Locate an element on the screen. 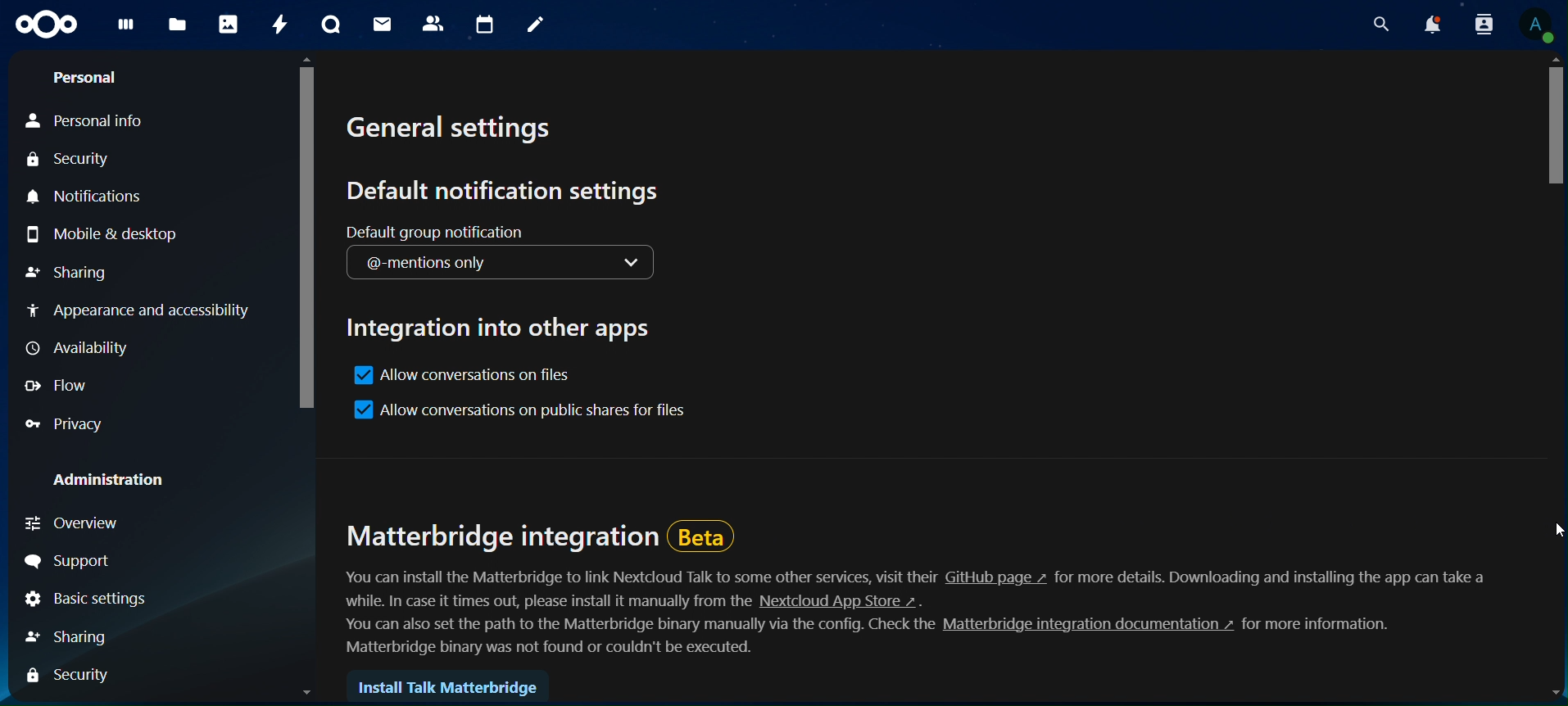  search is located at coordinates (1381, 25).